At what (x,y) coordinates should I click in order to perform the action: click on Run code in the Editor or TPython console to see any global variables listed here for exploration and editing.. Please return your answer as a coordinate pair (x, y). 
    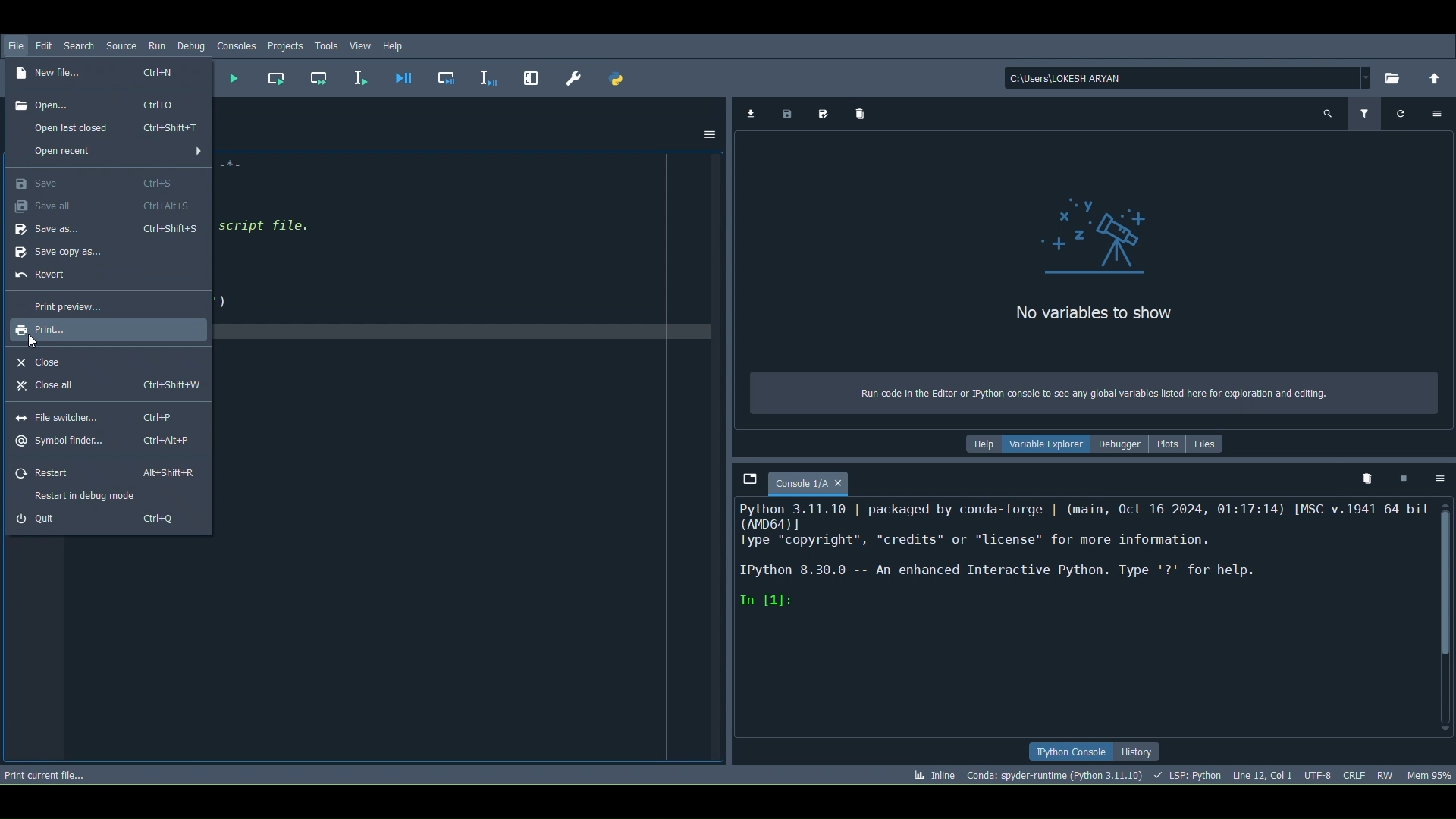
    Looking at the image, I should click on (1081, 391).